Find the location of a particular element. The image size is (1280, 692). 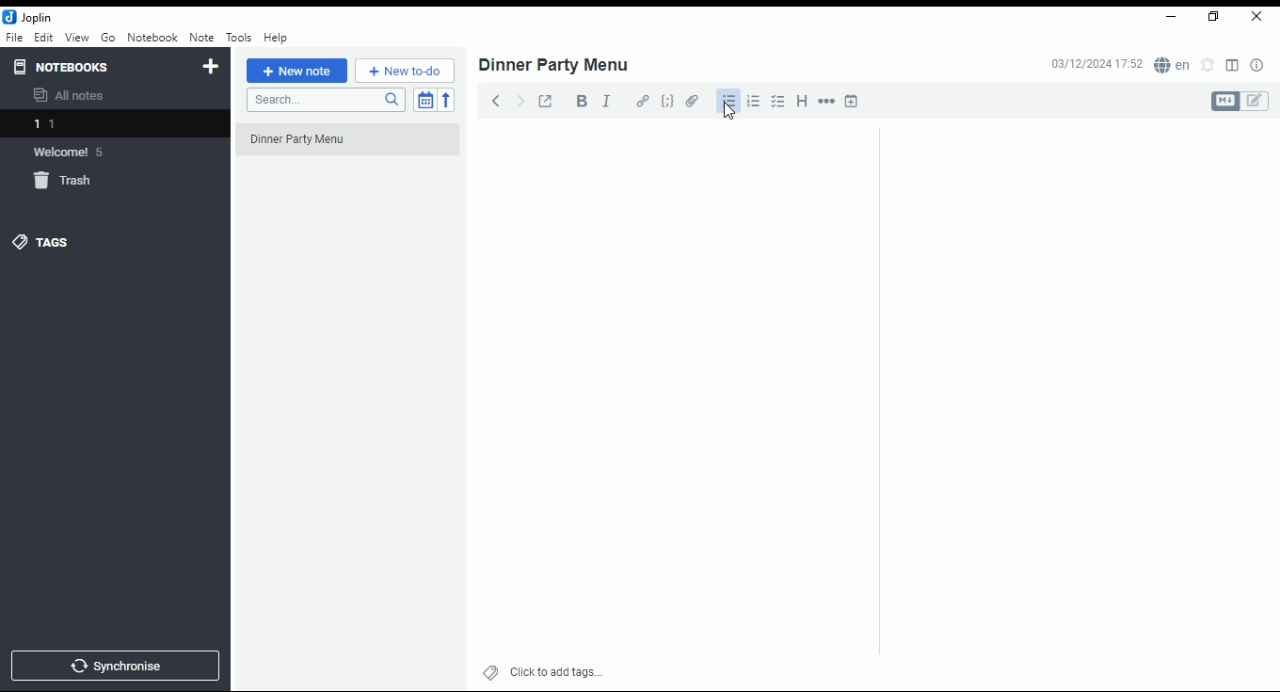

03/12/2024 17:51 is located at coordinates (1094, 65).